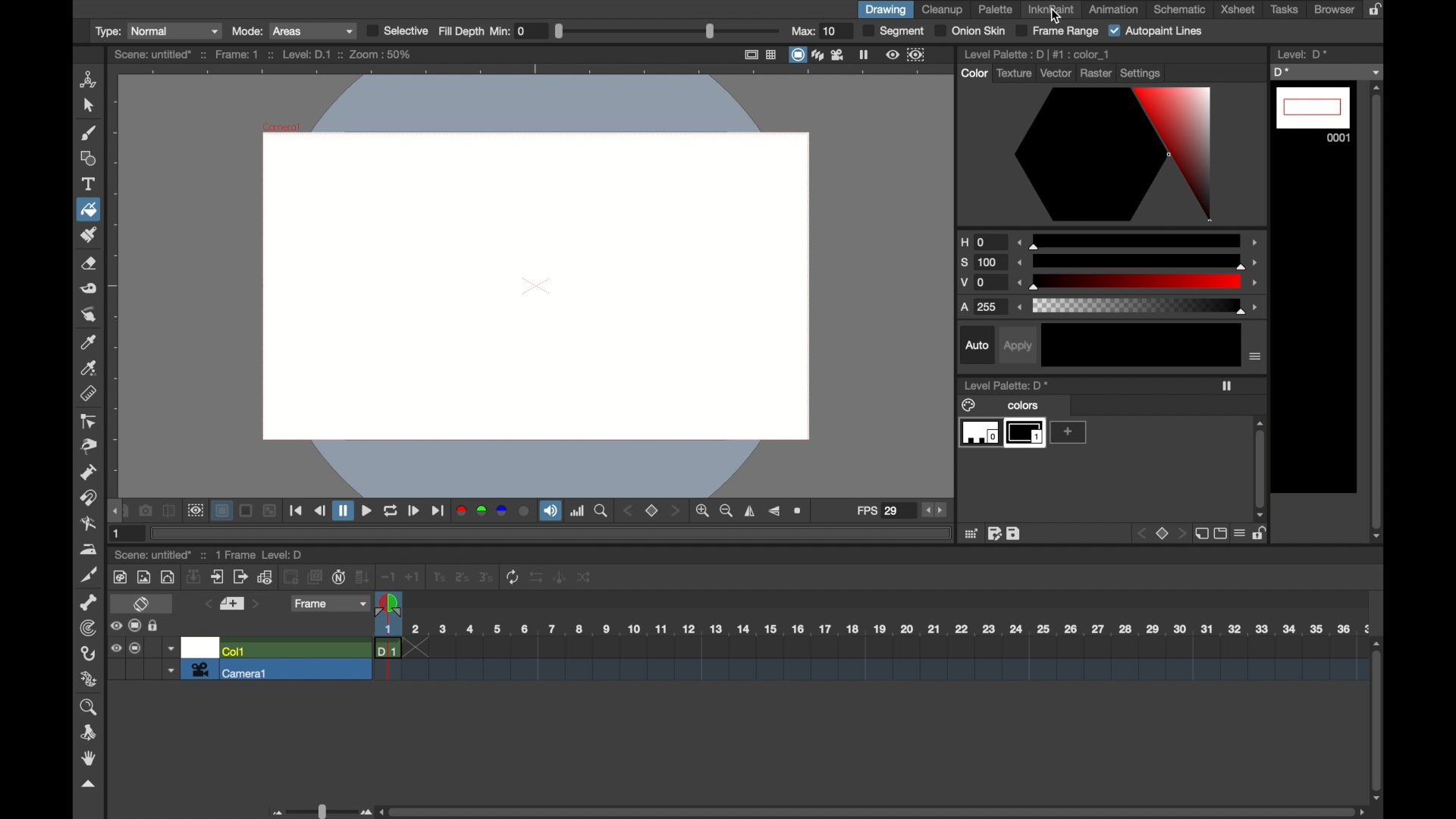 This screenshot has width=1456, height=819. I want to click on cleanup, so click(943, 10).